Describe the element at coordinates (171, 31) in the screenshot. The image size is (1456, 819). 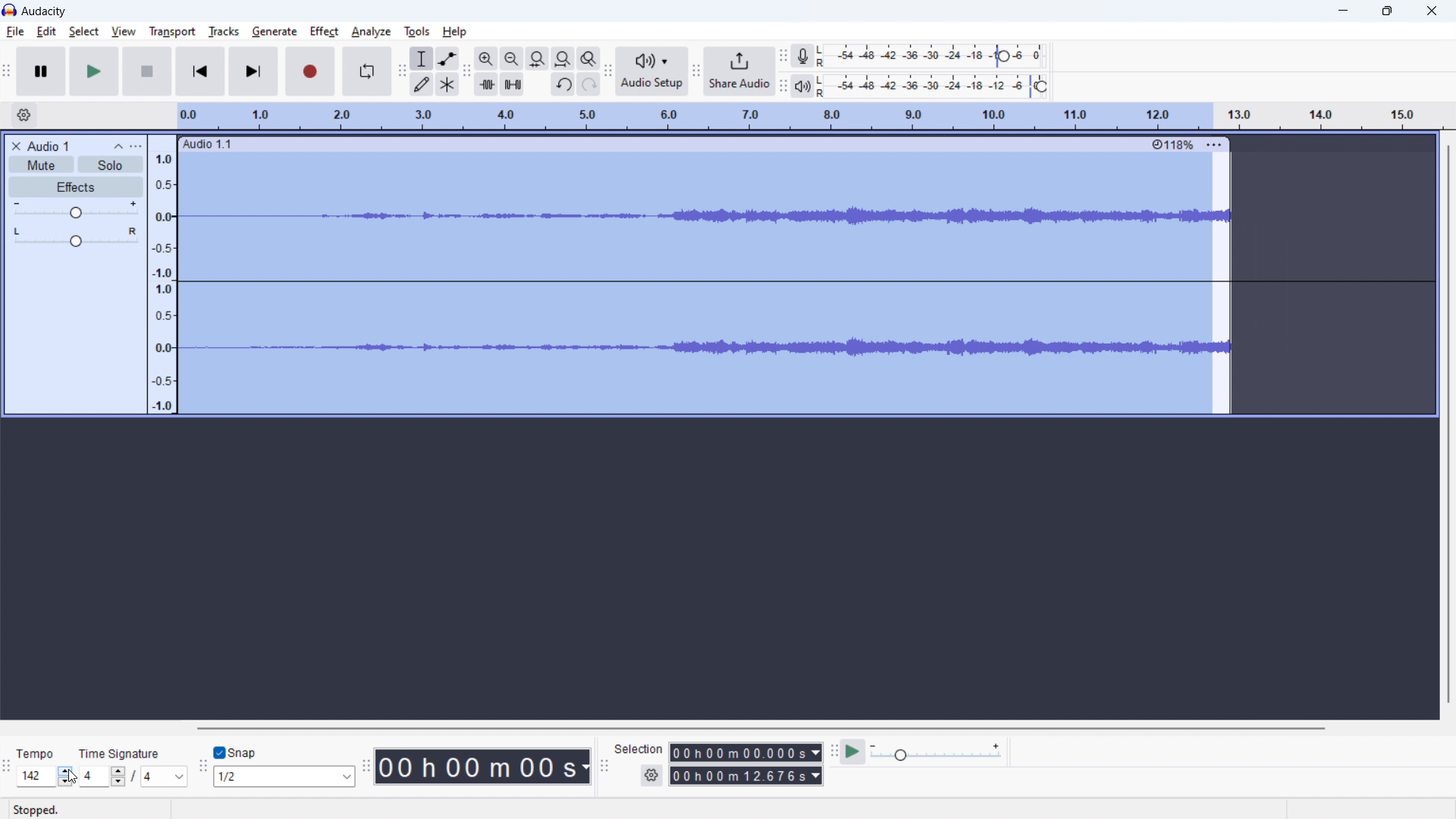
I see `transport` at that location.